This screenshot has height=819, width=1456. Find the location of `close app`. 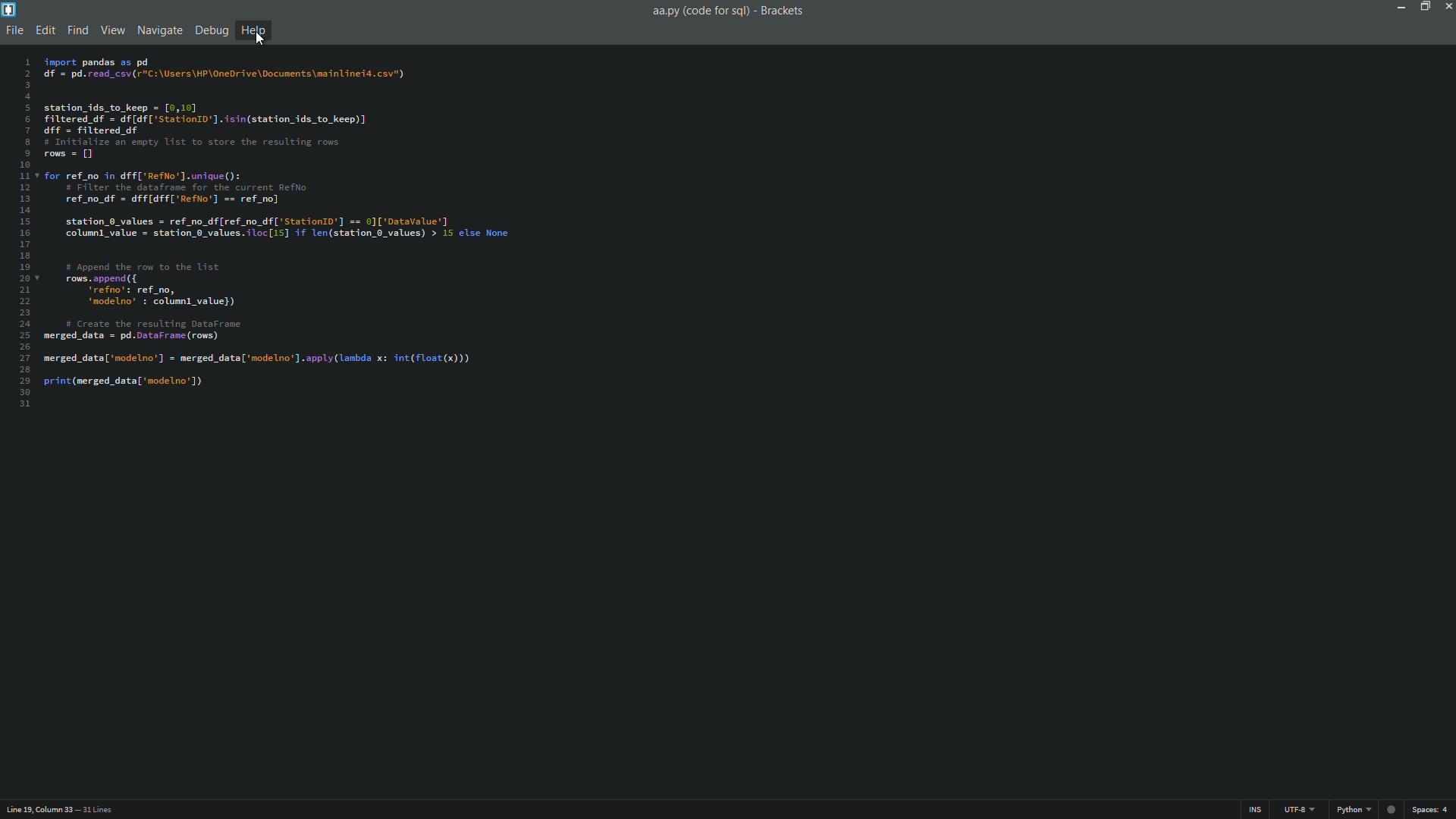

close app is located at coordinates (1447, 7).